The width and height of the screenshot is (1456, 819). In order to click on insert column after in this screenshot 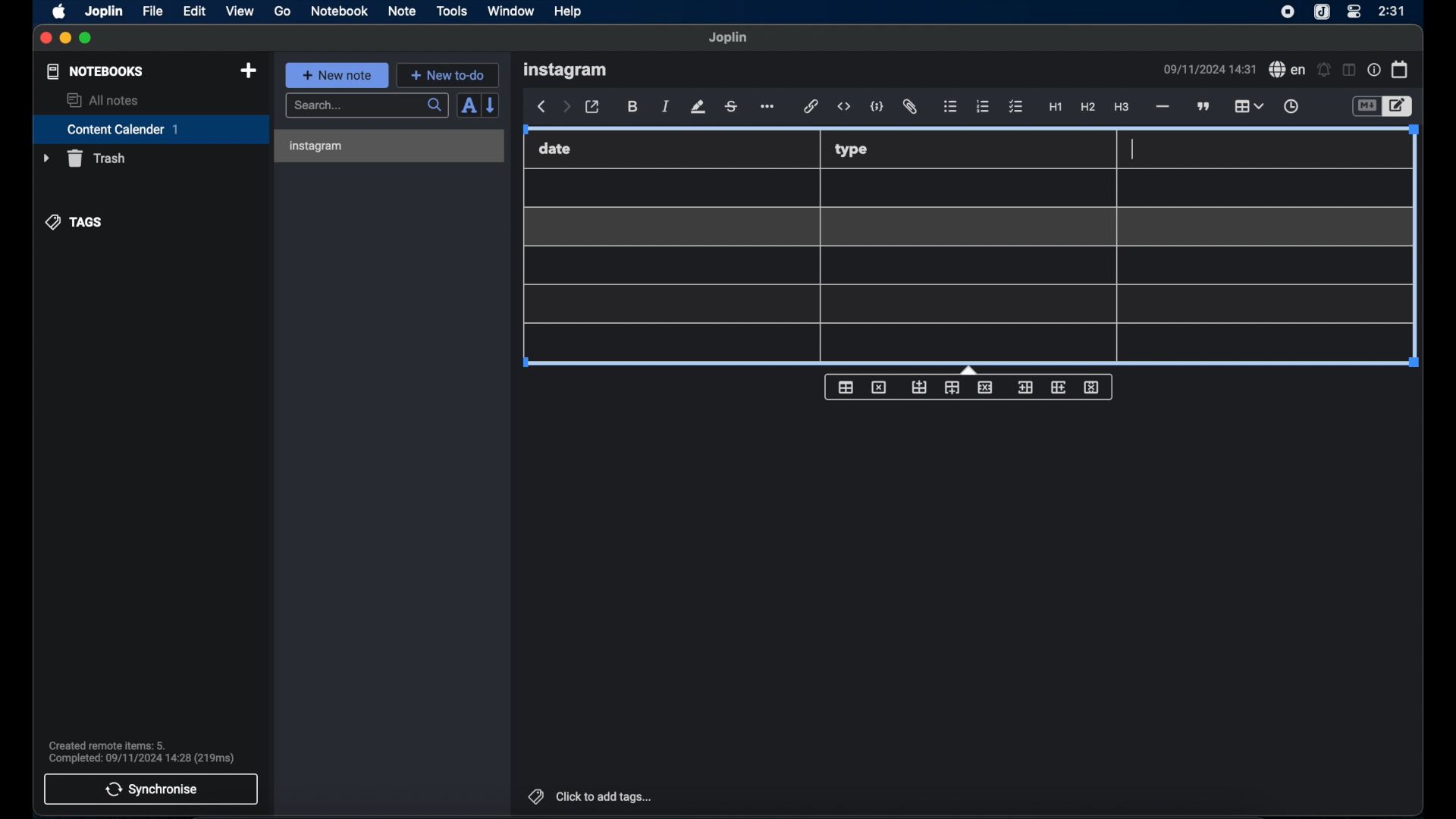, I will do `click(1058, 388)`.